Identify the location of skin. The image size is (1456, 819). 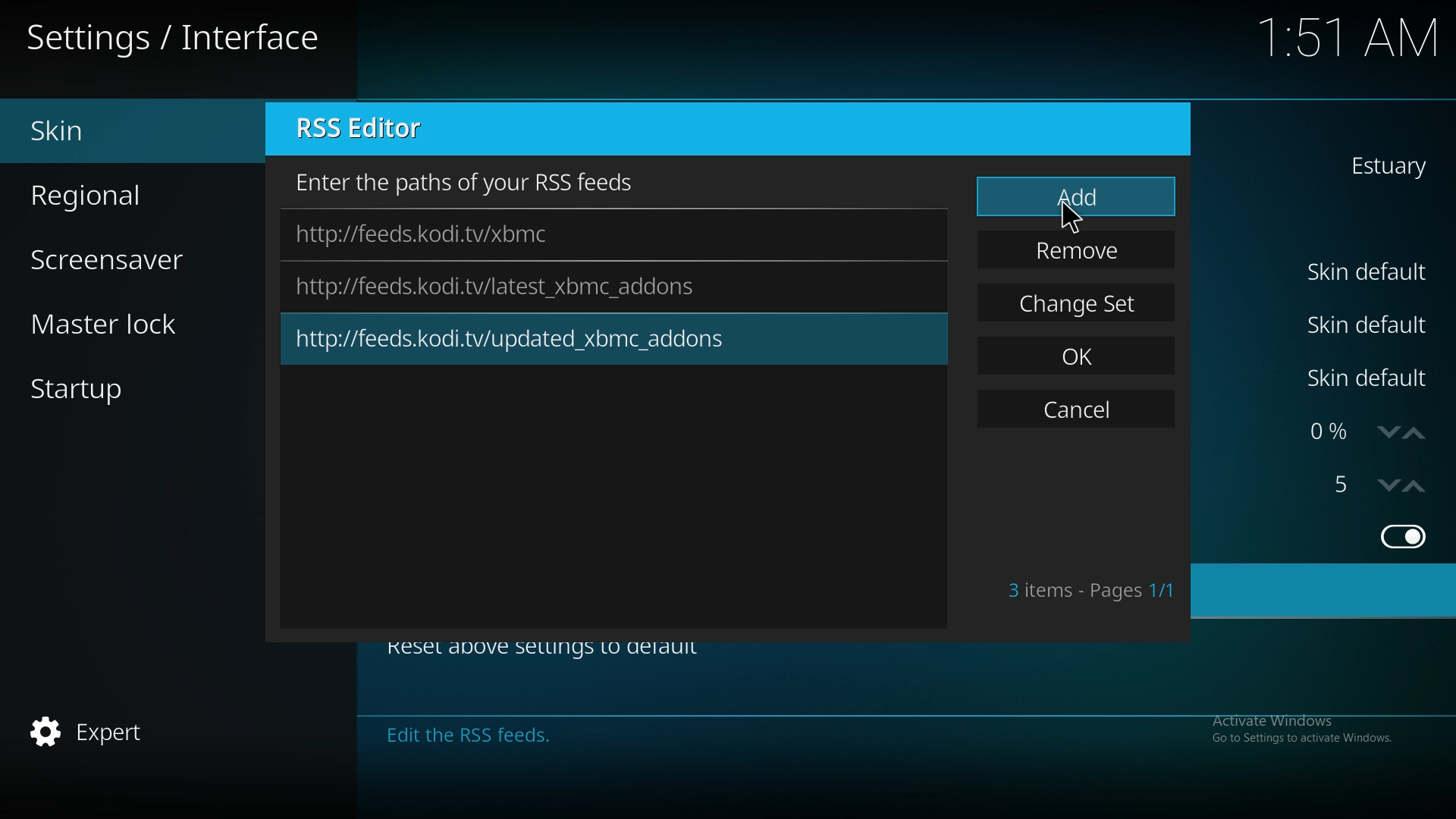
(1385, 165).